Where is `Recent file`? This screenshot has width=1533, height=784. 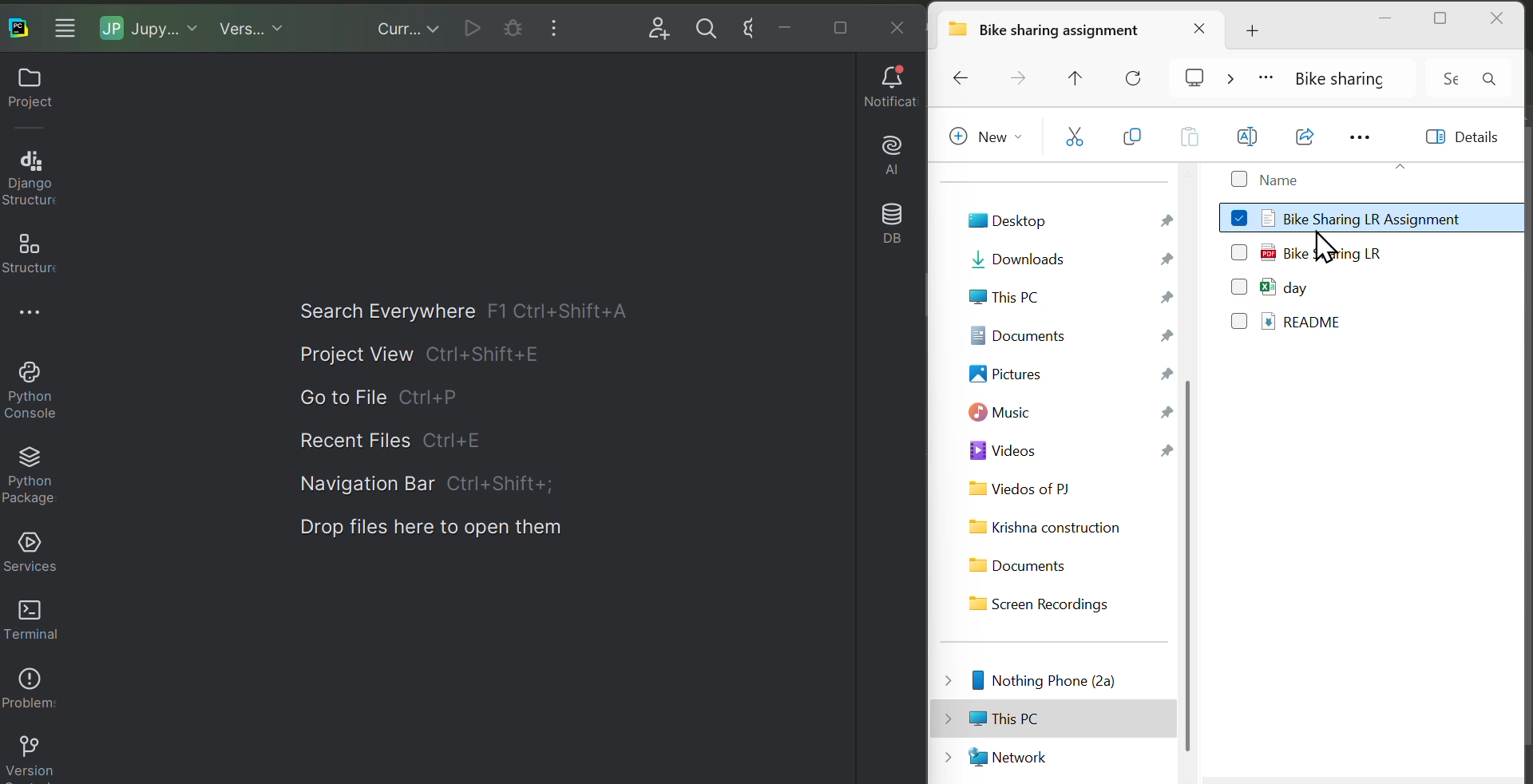 Recent file is located at coordinates (405, 440).